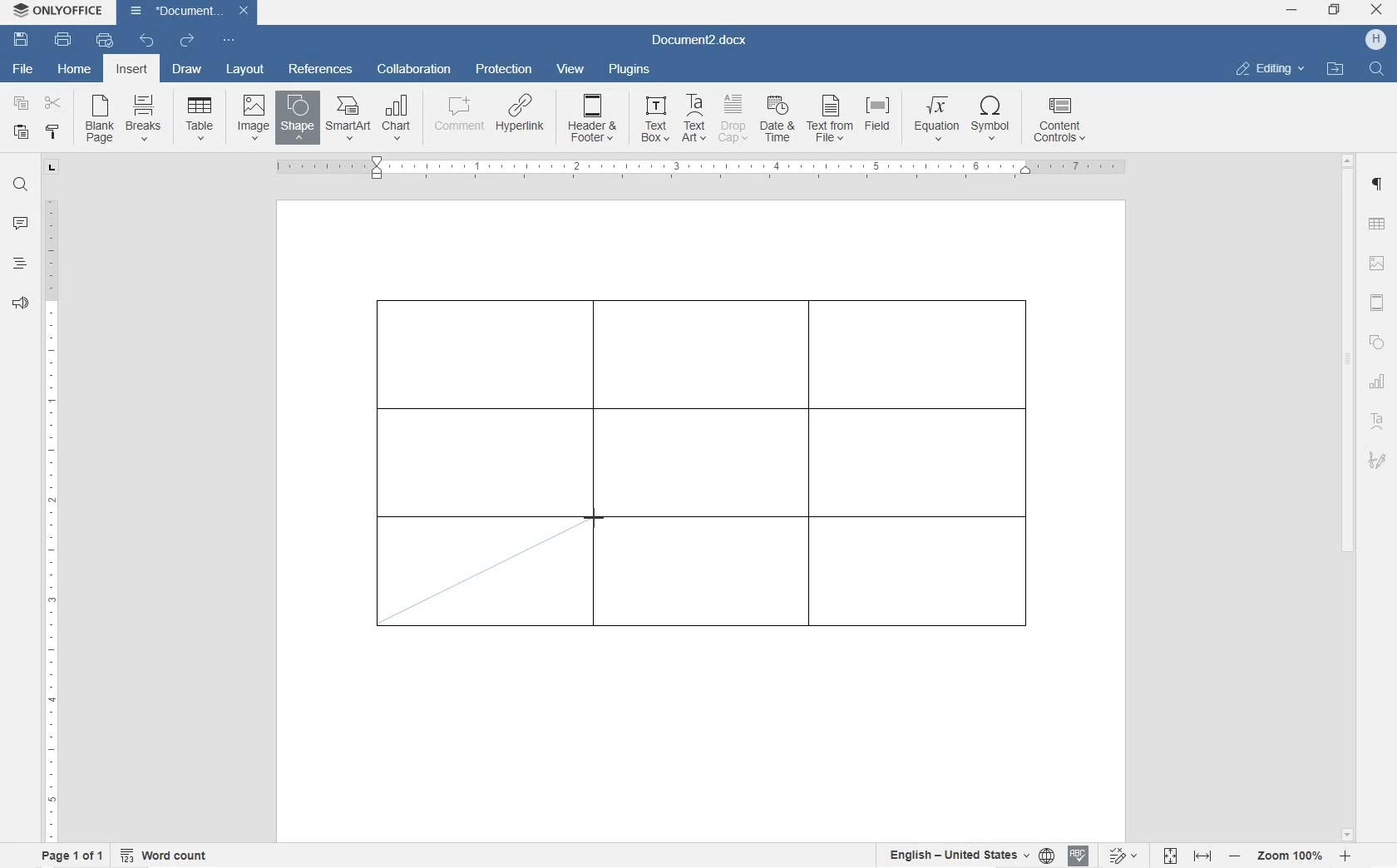  I want to click on undo, so click(146, 41).